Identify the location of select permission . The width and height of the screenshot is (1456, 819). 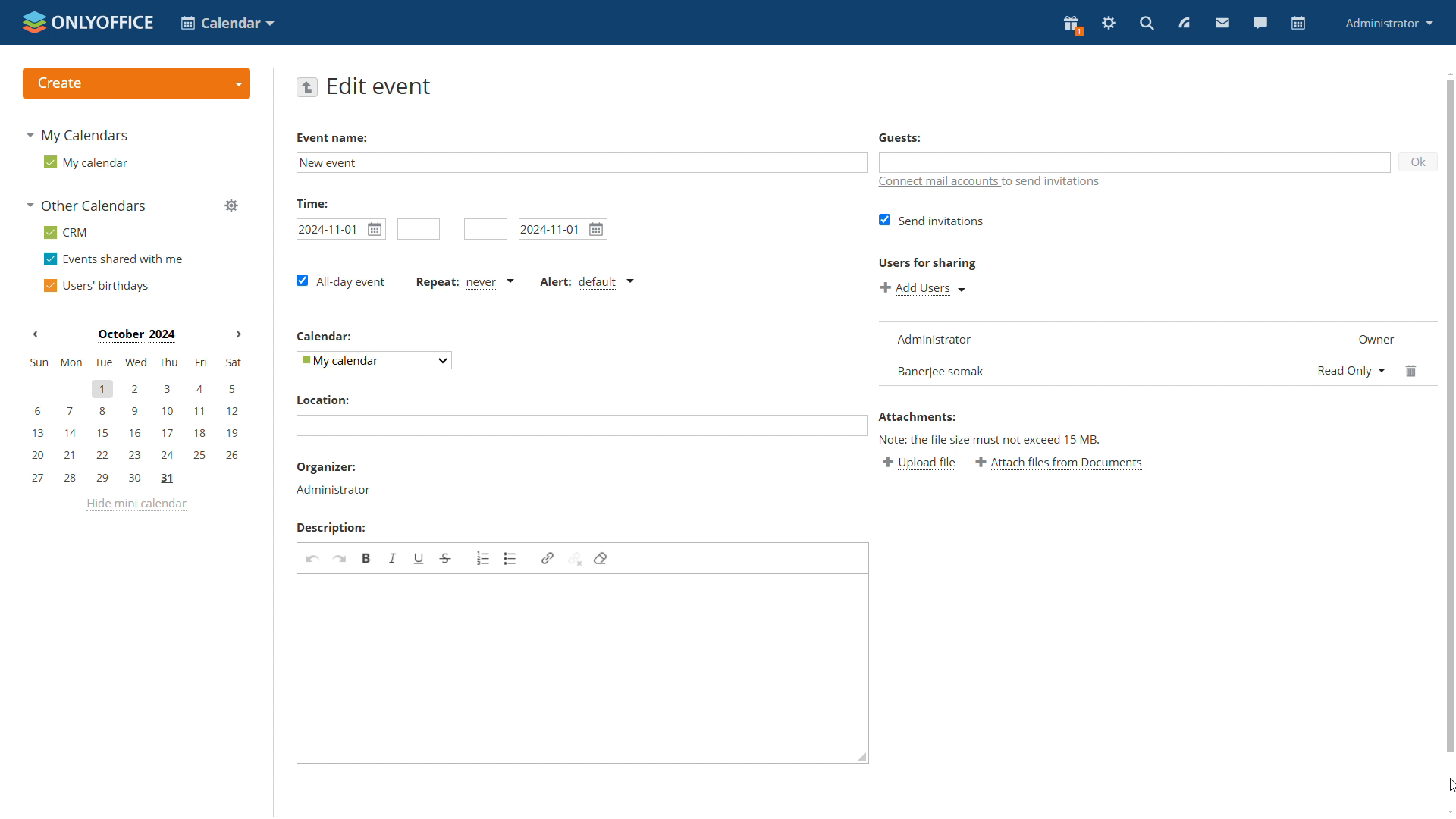
(1351, 370).